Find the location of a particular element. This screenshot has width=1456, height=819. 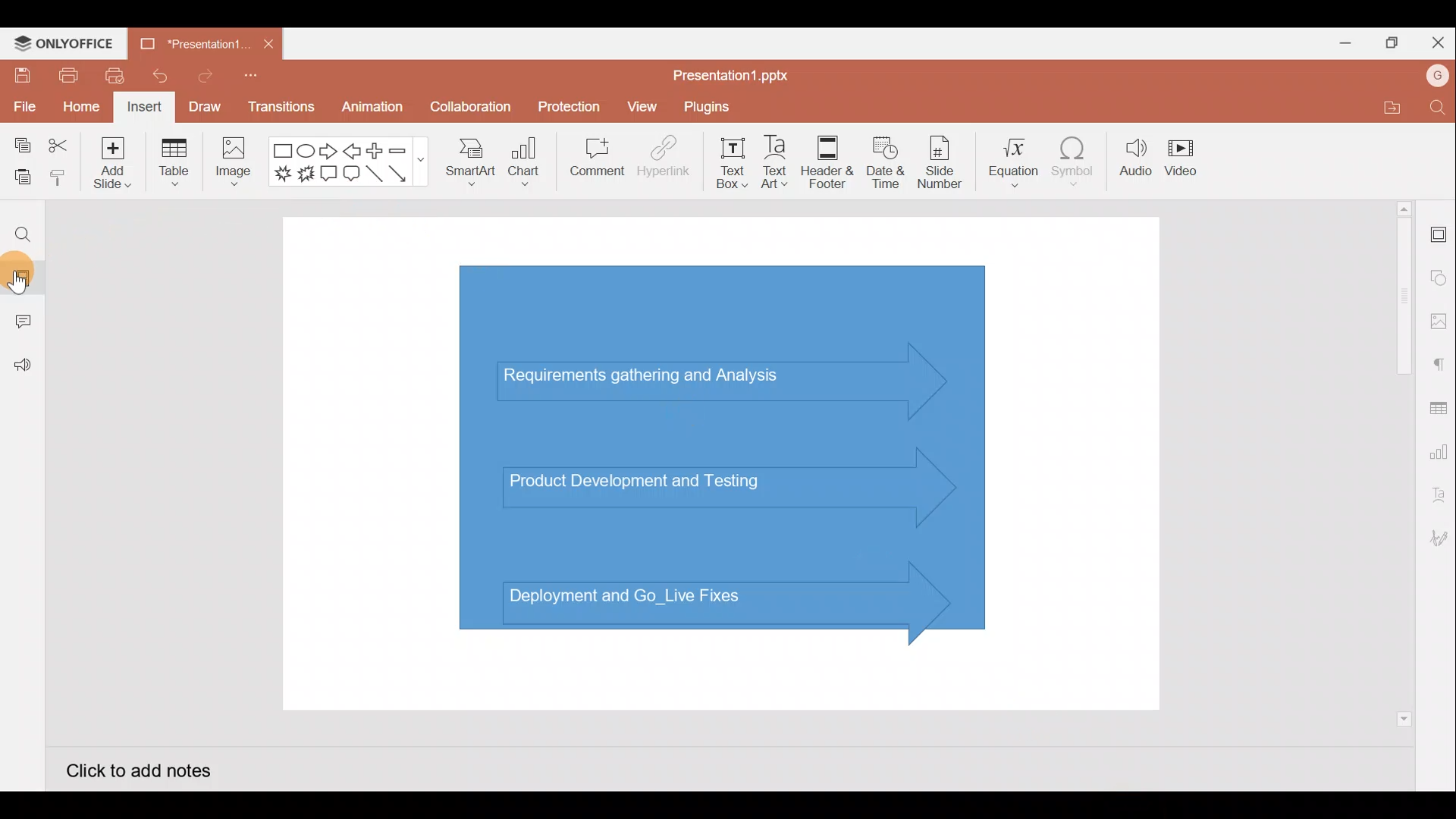

Right arrow is located at coordinates (329, 152).